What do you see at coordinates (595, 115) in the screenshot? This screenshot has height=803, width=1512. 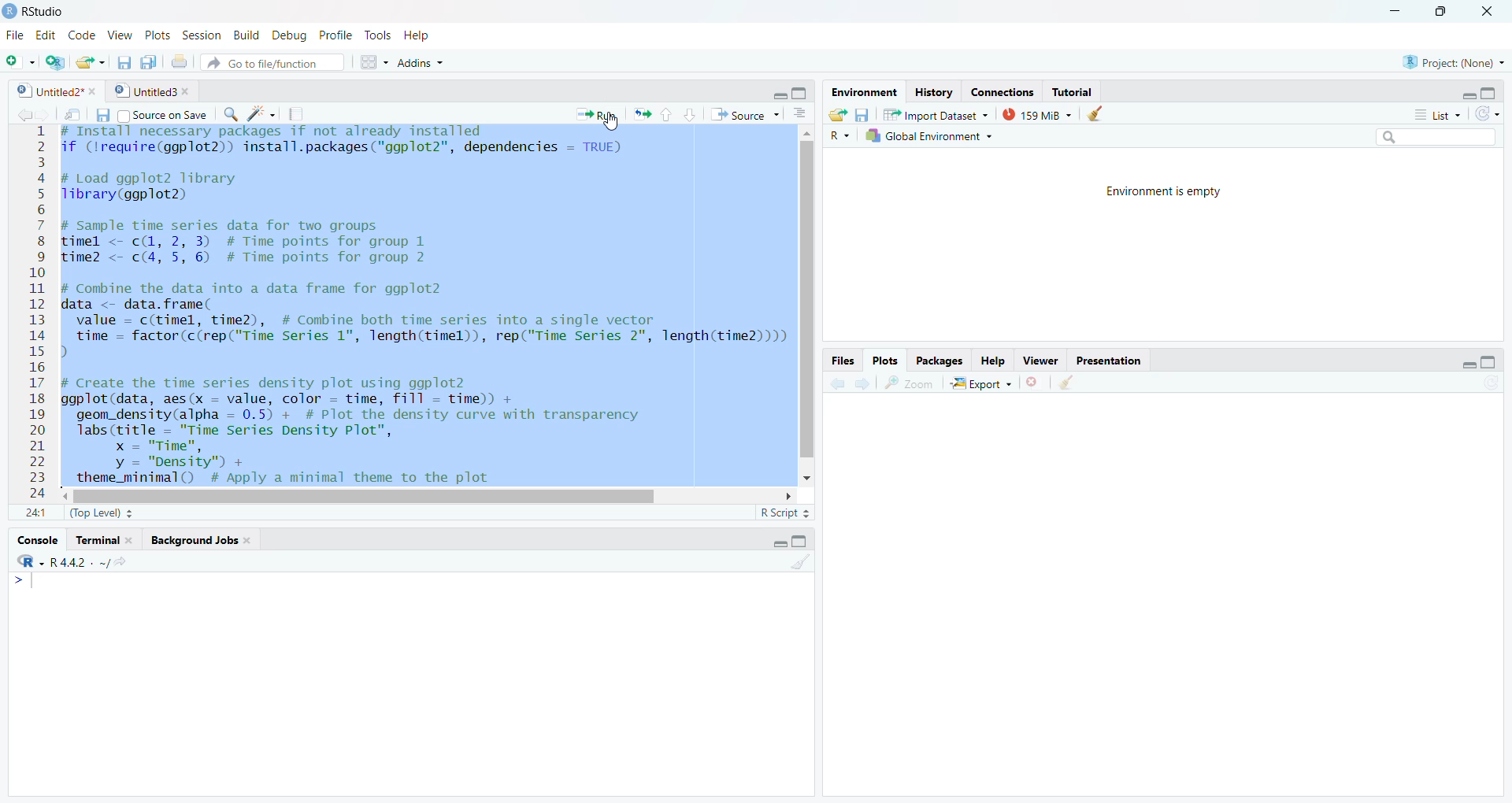 I see `Run` at bounding box center [595, 115].